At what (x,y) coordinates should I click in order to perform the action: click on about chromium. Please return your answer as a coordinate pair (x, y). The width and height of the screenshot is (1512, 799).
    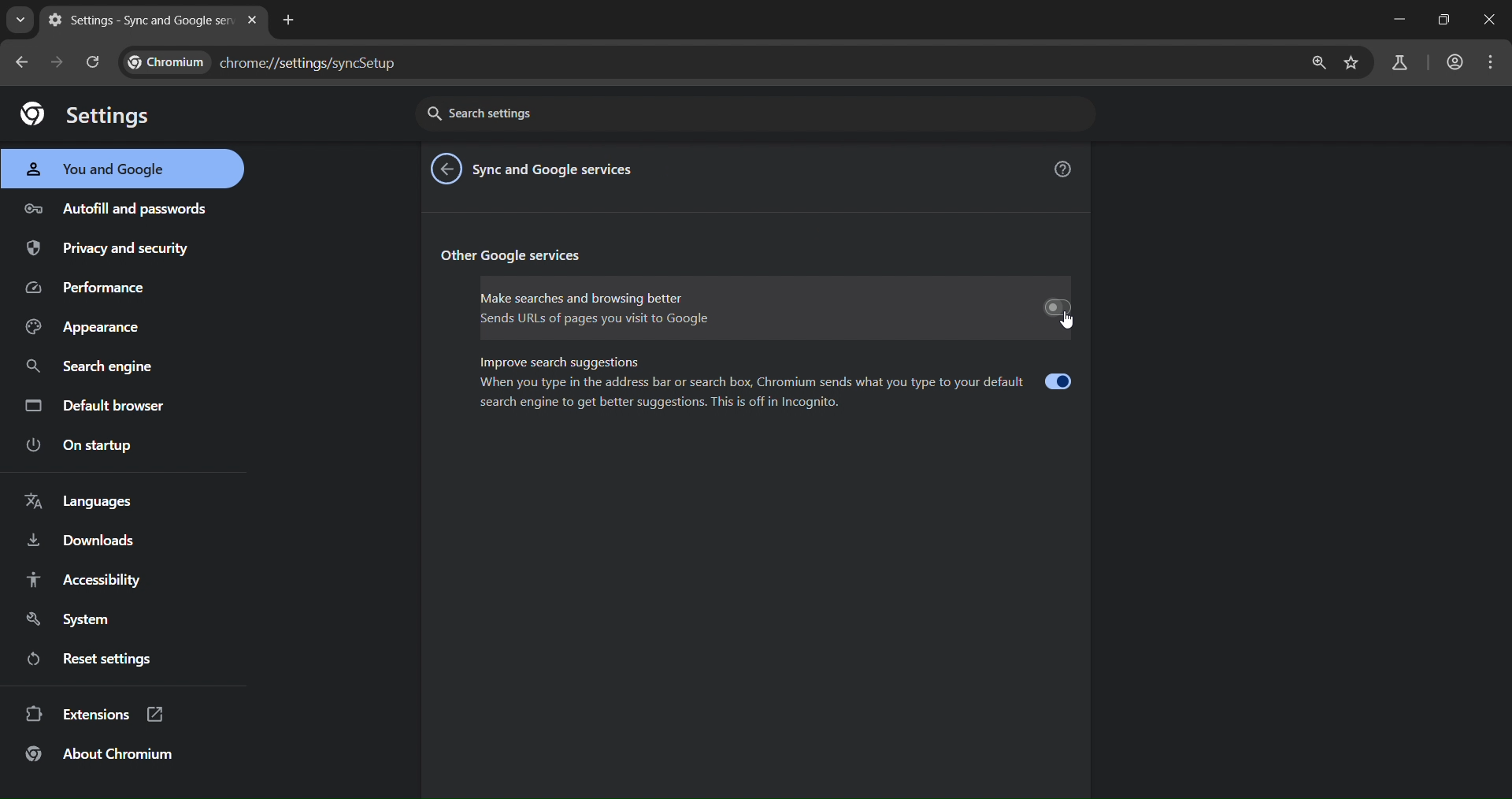
    Looking at the image, I should click on (109, 753).